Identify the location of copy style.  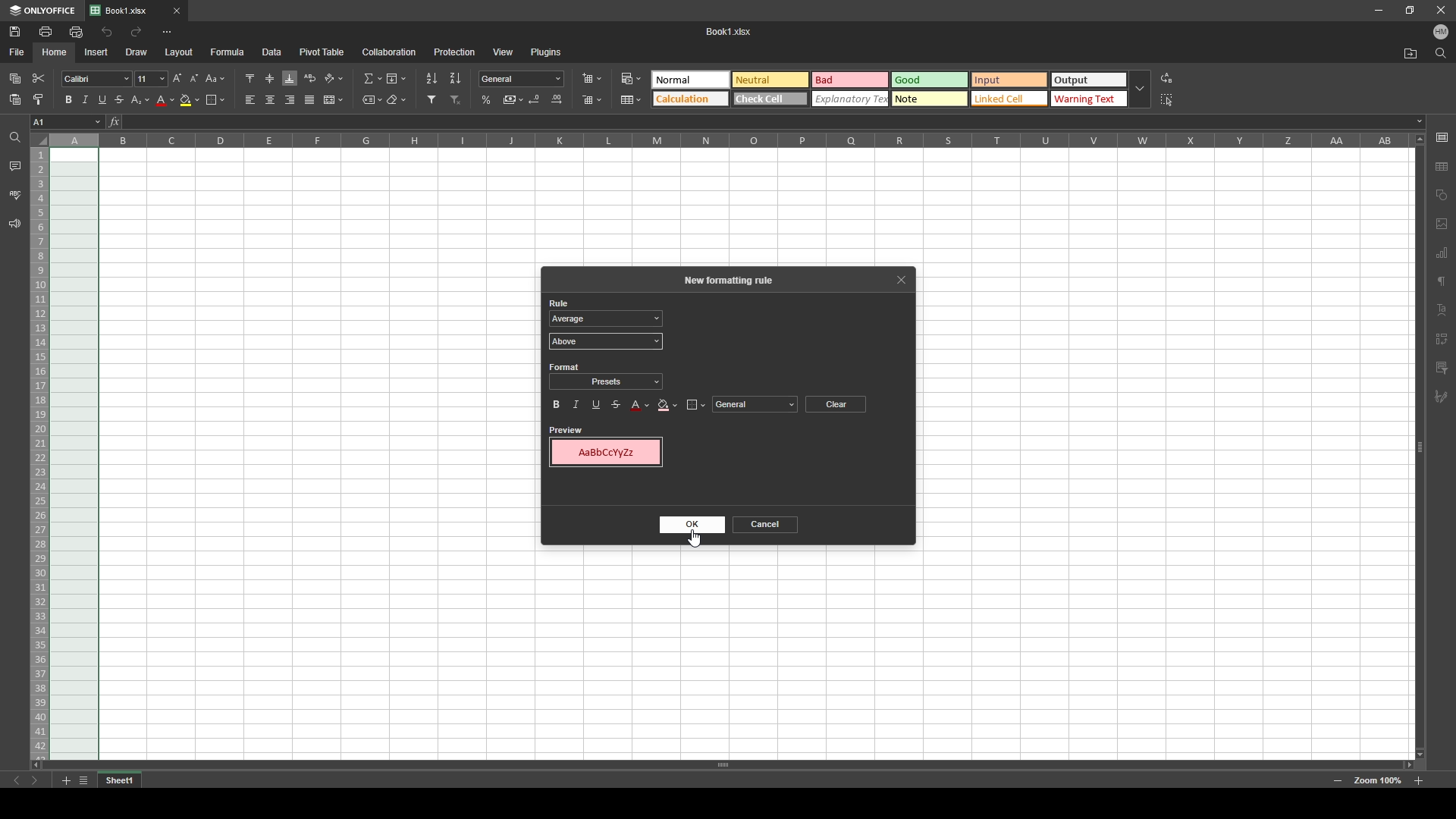
(38, 99).